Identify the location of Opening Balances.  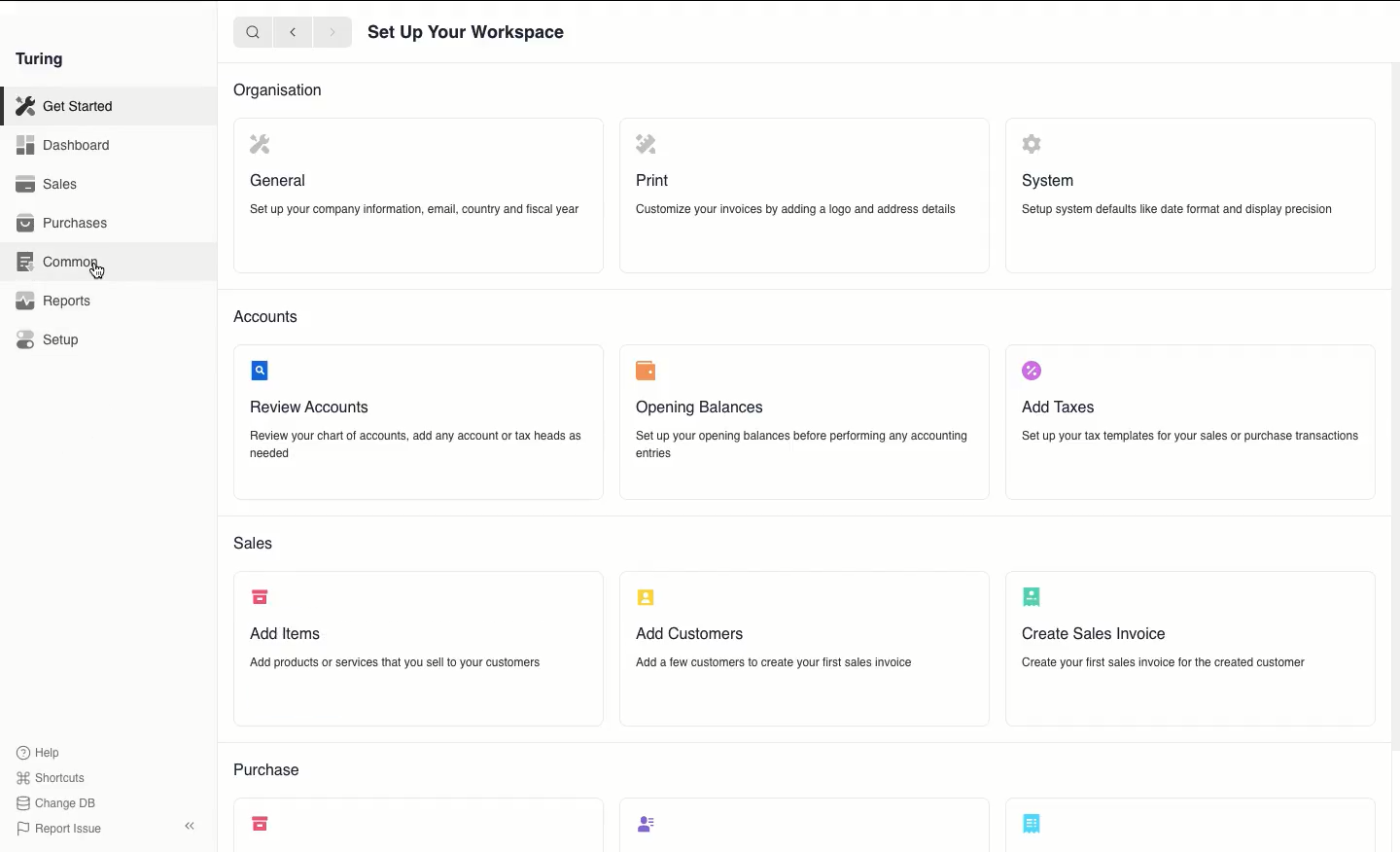
(700, 390).